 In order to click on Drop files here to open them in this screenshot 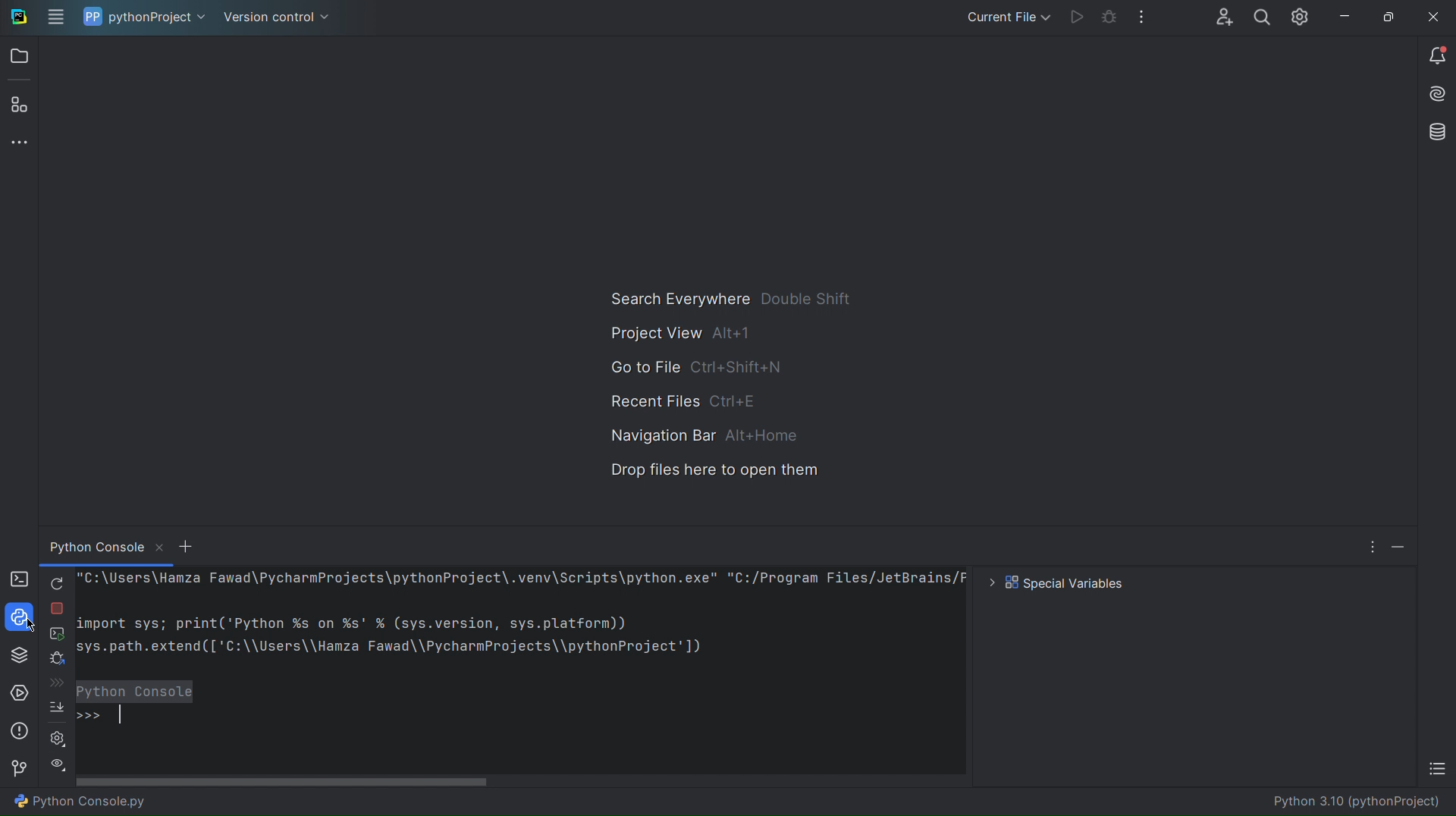, I will do `click(713, 472)`.